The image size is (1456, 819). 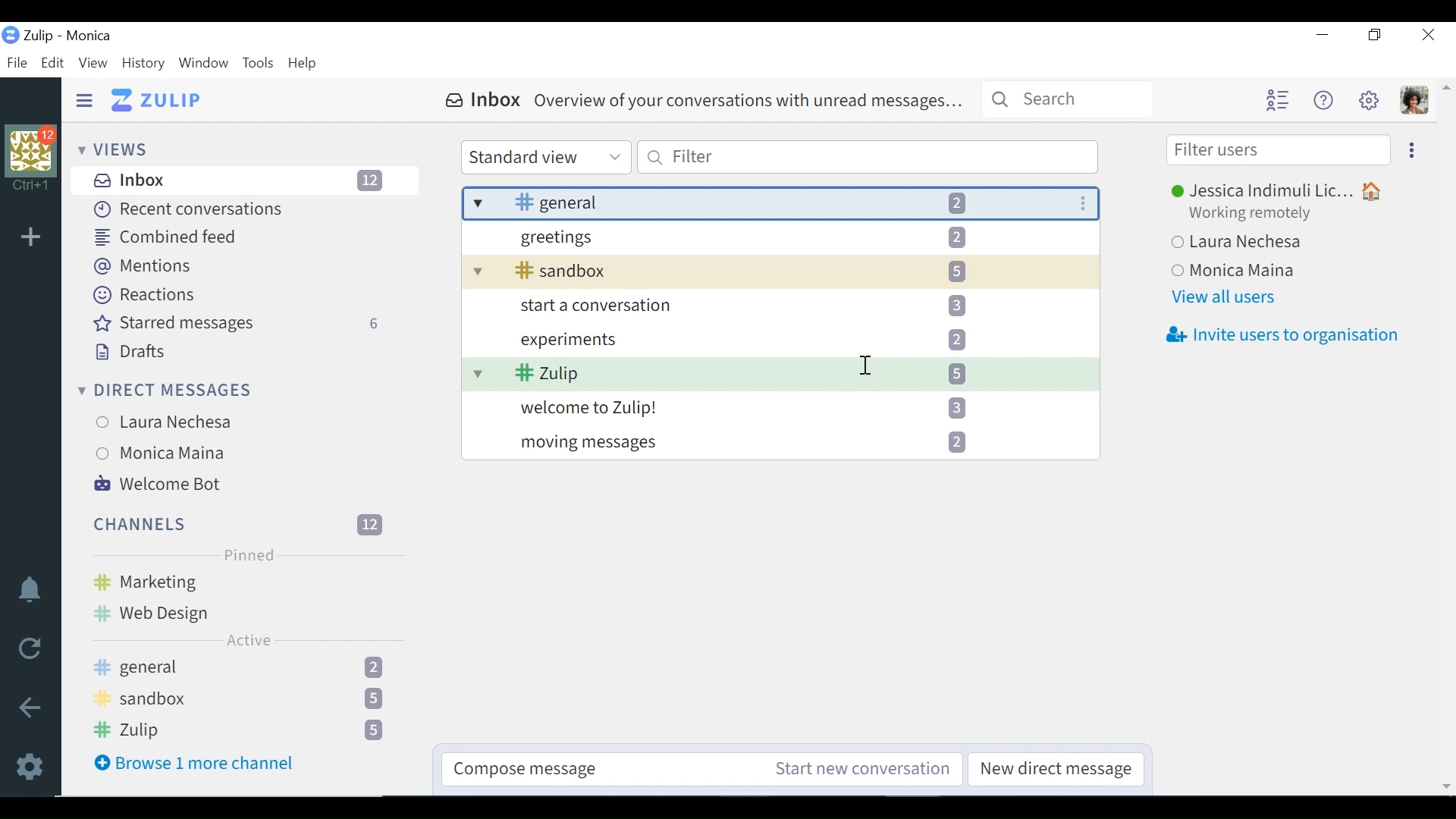 What do you see at coordinates (868, 158) in the screenshot?
I see `Filter` at bounding box center [868, 158].